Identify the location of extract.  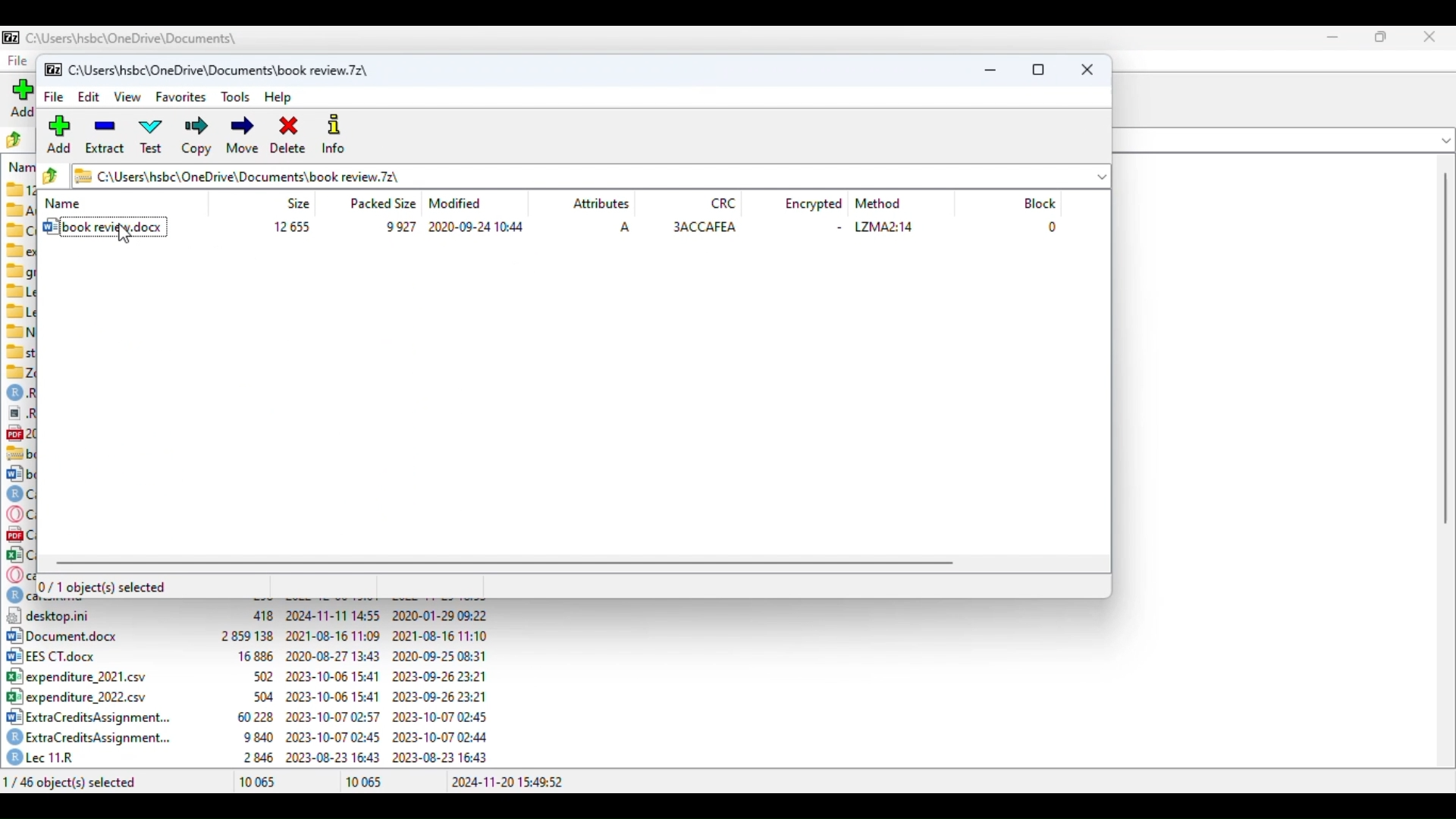
(105, 135).